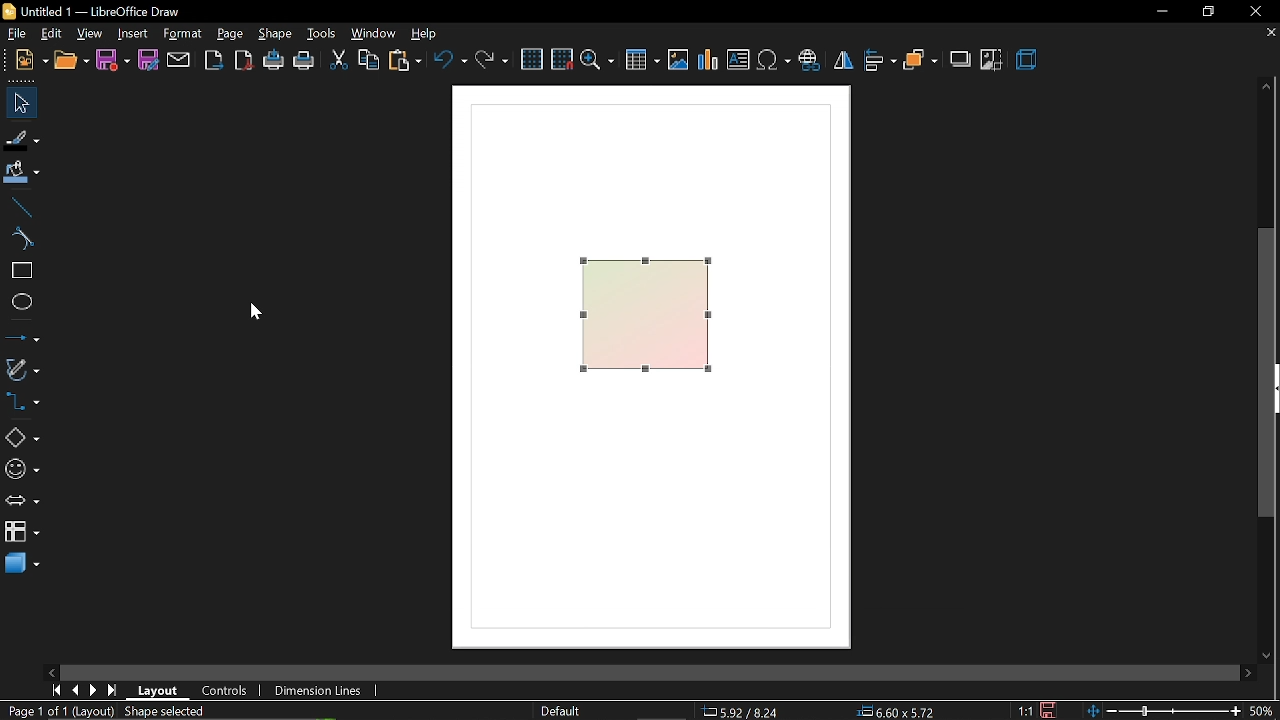  I want to click on curves and polygons, so click(22, 370).